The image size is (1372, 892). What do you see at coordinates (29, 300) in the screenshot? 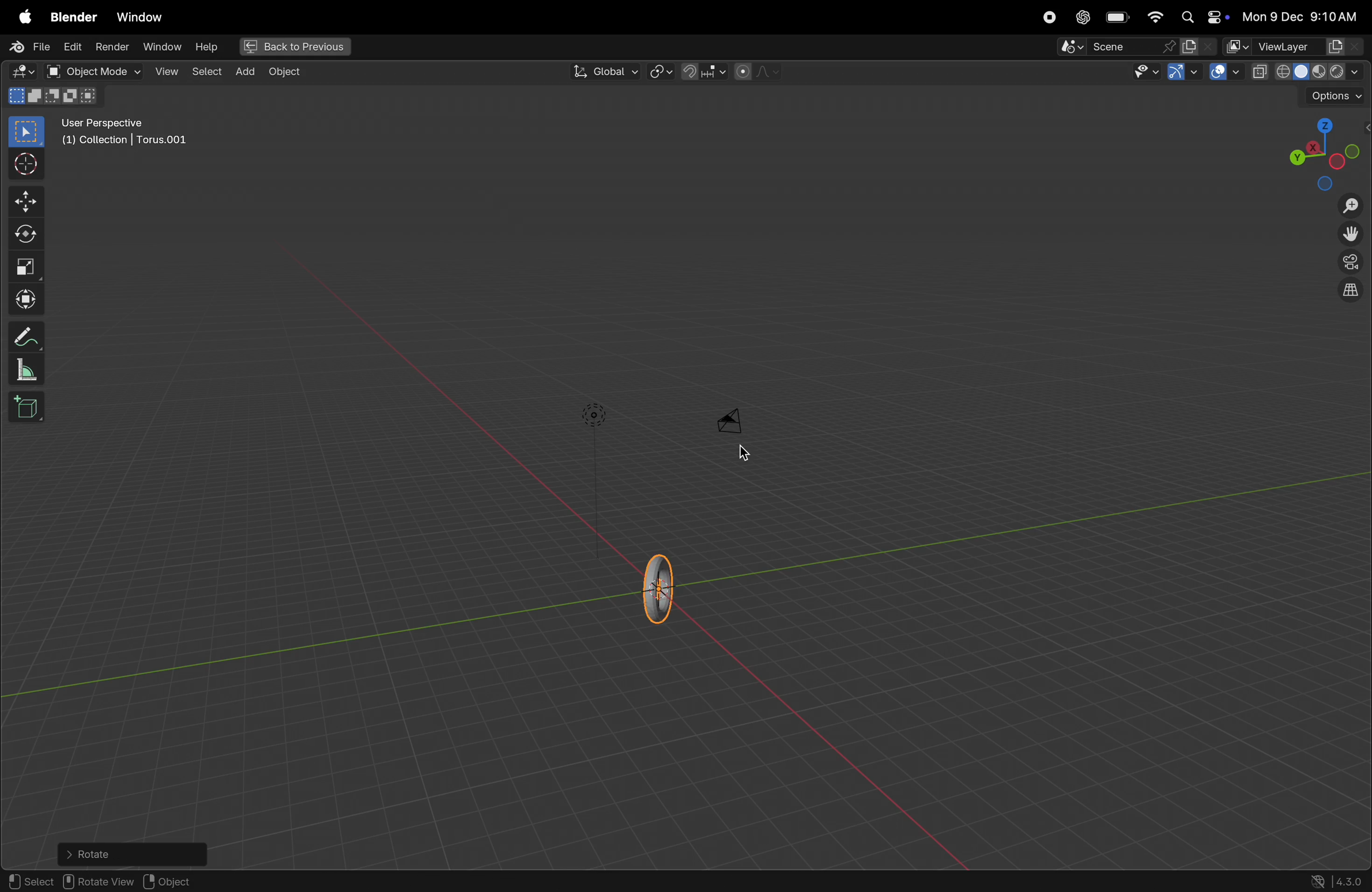
I see `transform` at bounding box center [29, 300].